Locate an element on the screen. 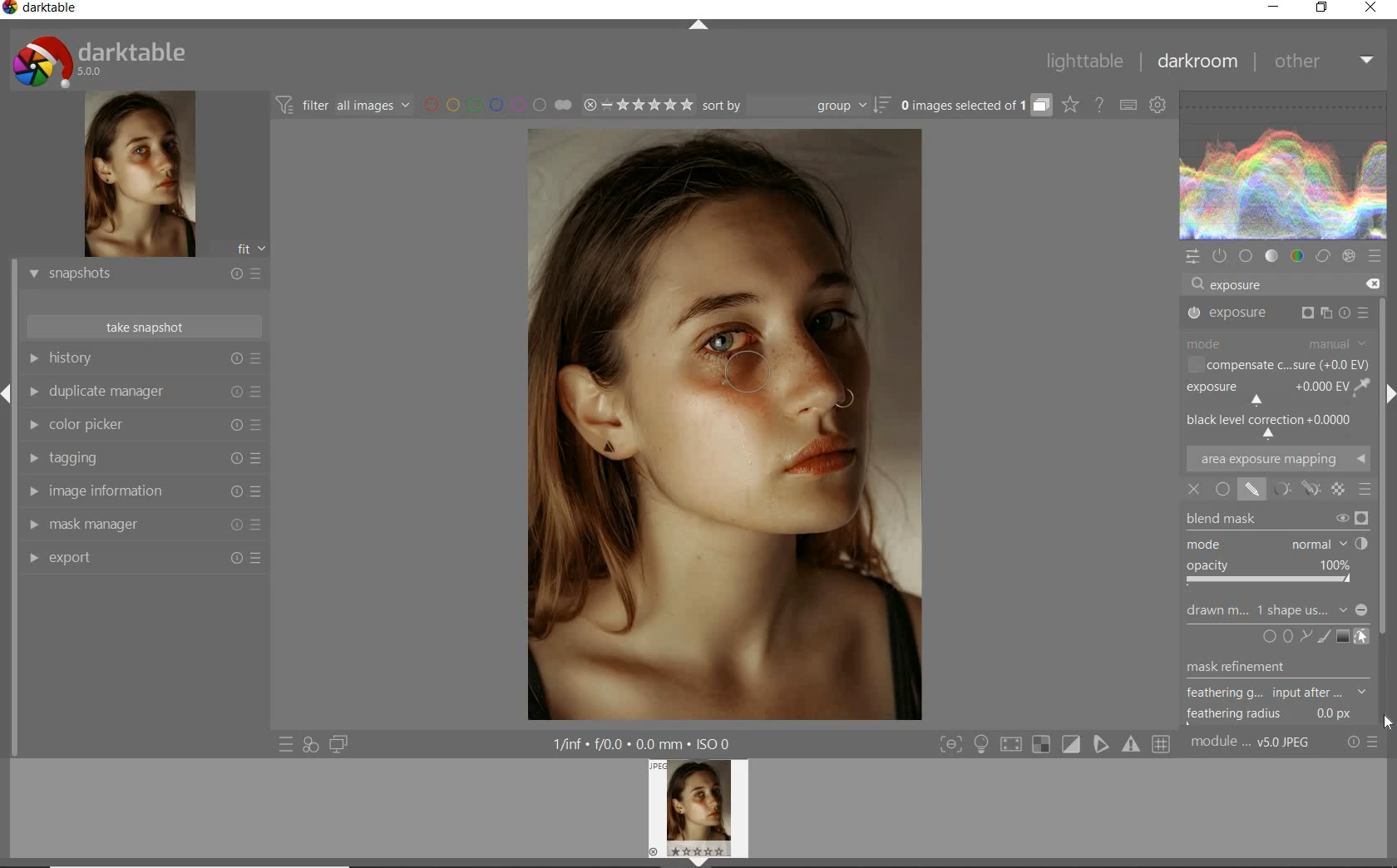 The height and width of the screenshot is (868, 1397). filter by image color is located at coordinates (498, 106).